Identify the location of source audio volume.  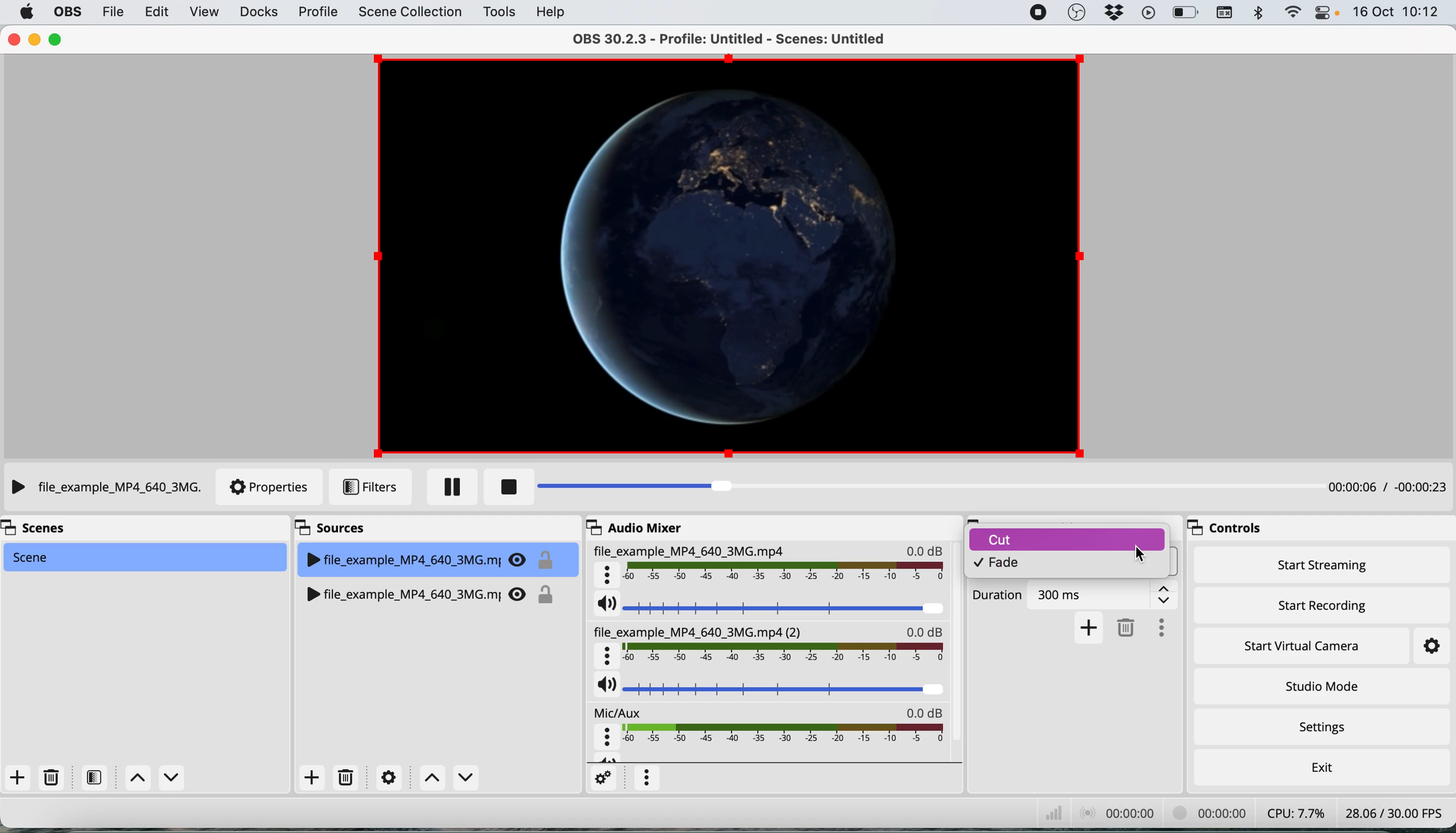
(769, 683).